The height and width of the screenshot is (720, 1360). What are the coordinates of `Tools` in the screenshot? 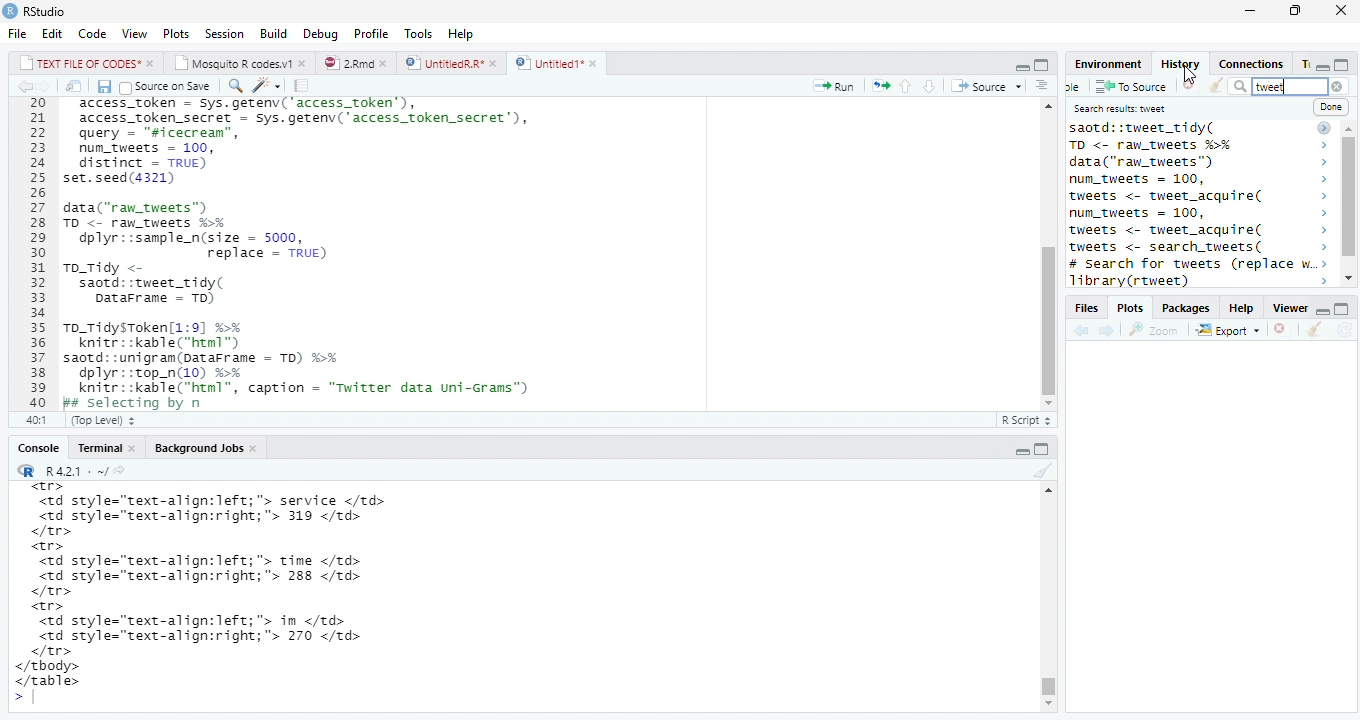 It's located at (416, 32).